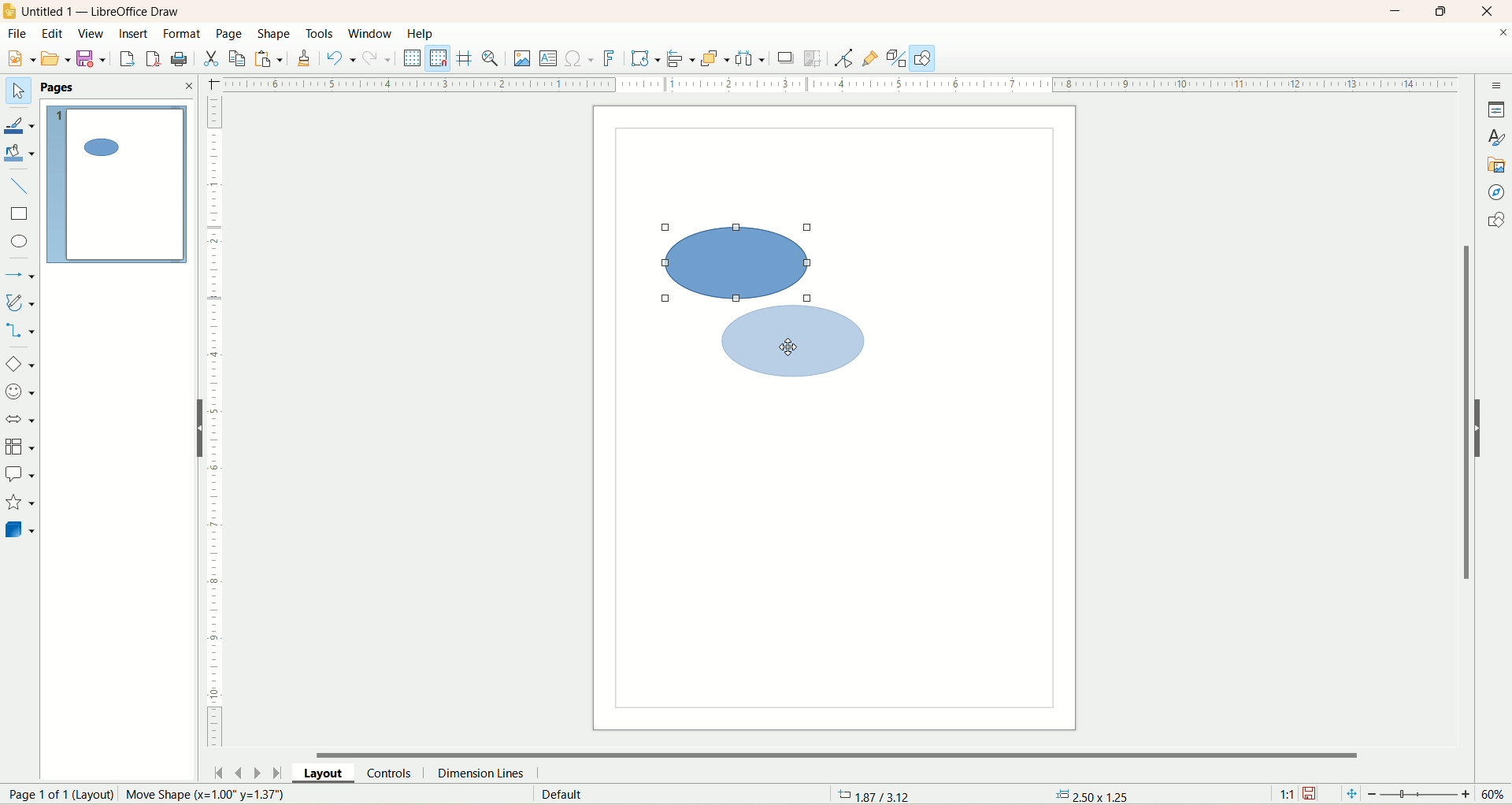 The image size is (1512, 805). What do you see at coordinates (1462, 421) in the screenshot?
I see `vertical scroll bar` at bounding box center [1462, 421].